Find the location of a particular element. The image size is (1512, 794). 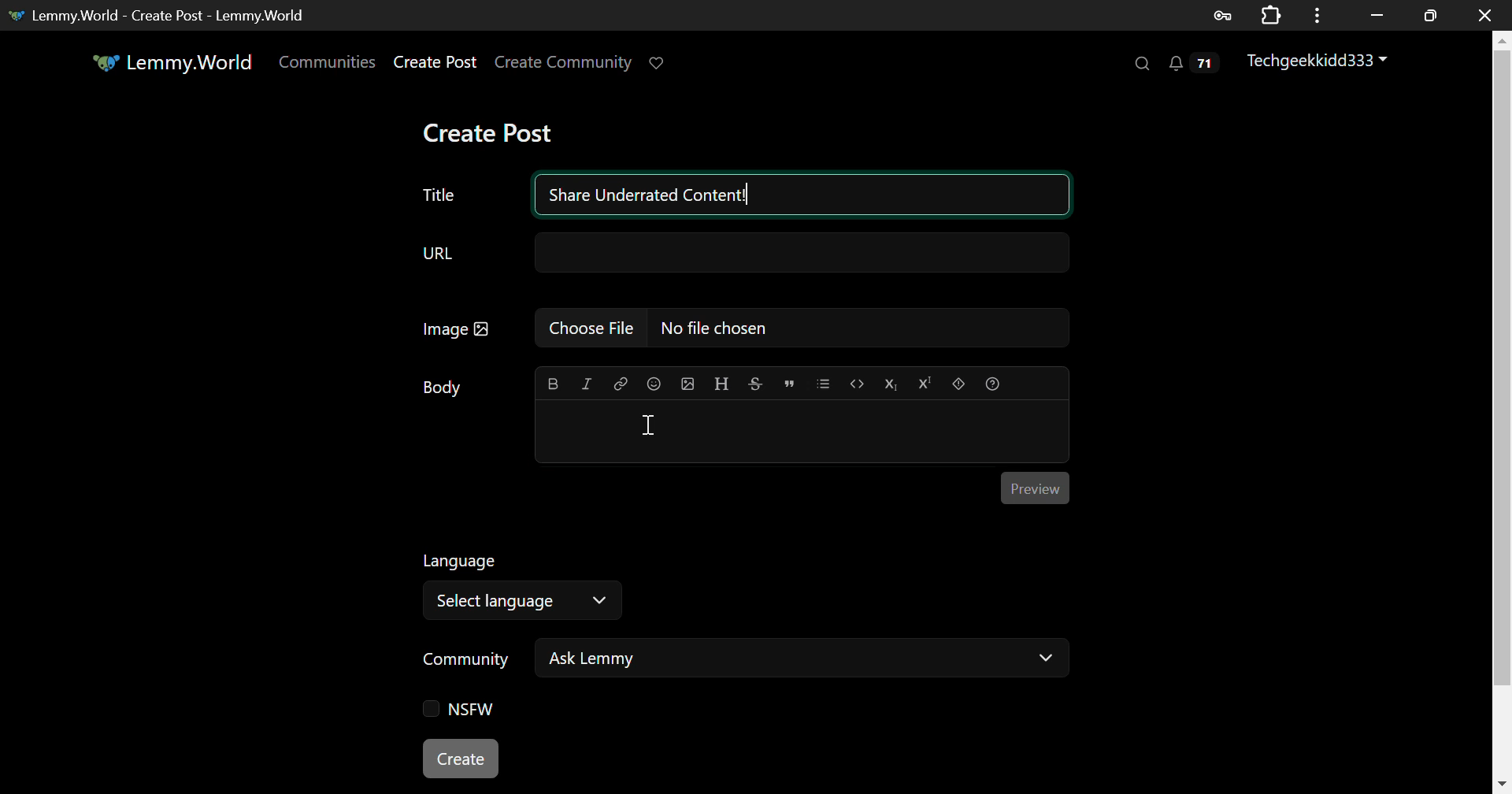

Body is located at coordinates (443, 388).